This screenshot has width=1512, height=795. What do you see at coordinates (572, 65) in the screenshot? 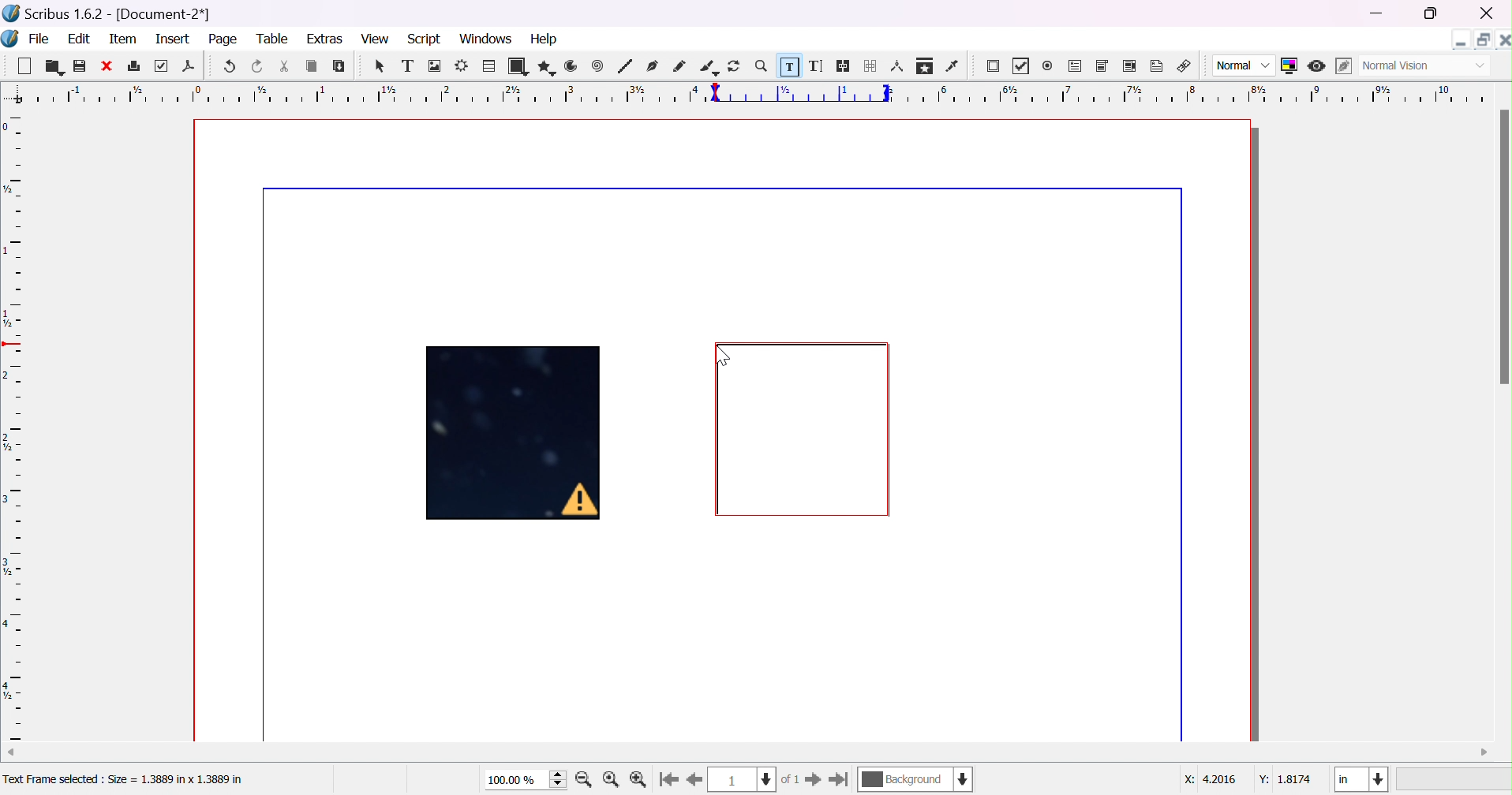
I see `arc` at bounding box center [572, 65].